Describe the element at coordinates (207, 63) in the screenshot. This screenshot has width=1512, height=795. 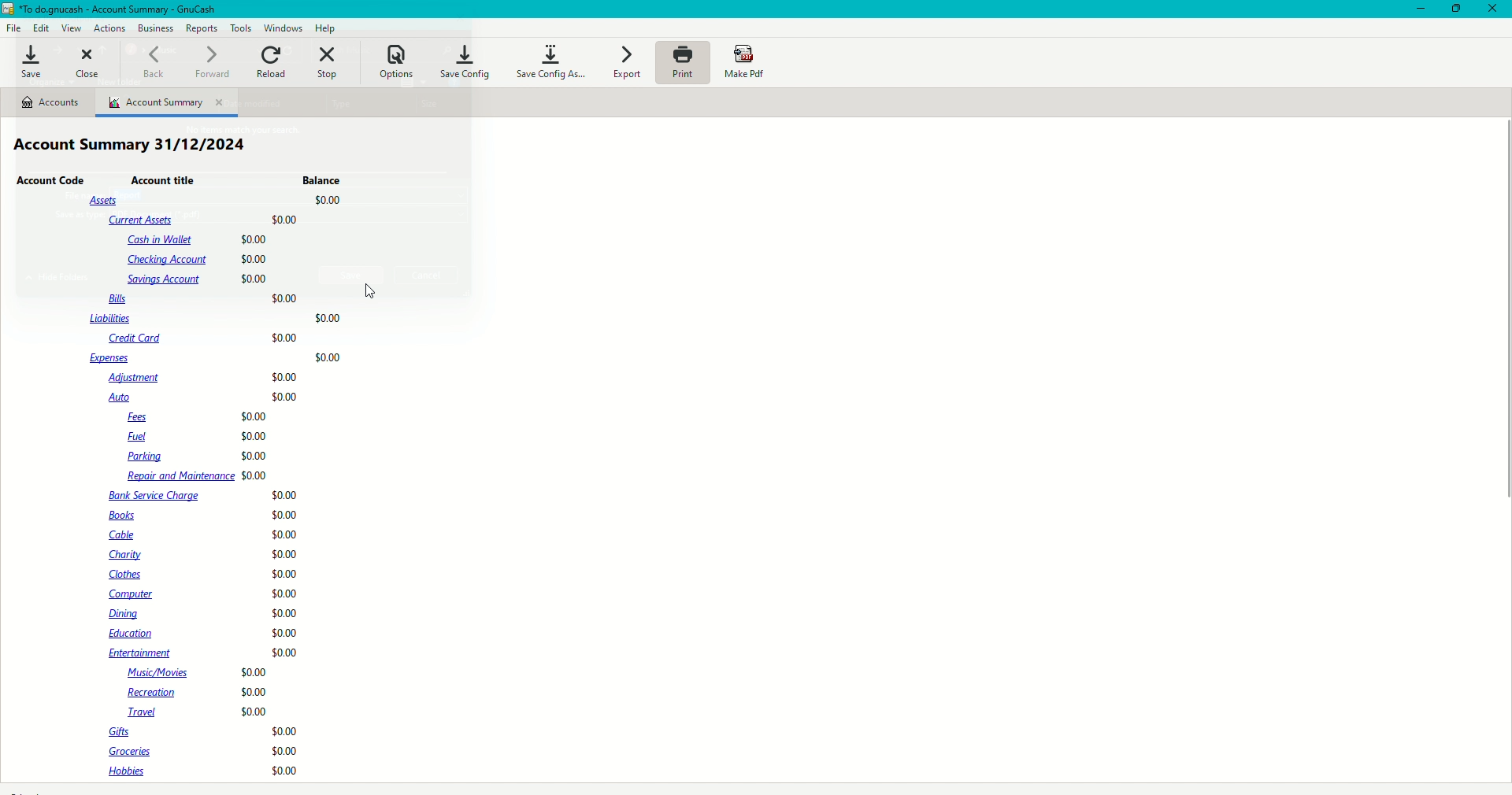
I see `Forward` at that location.